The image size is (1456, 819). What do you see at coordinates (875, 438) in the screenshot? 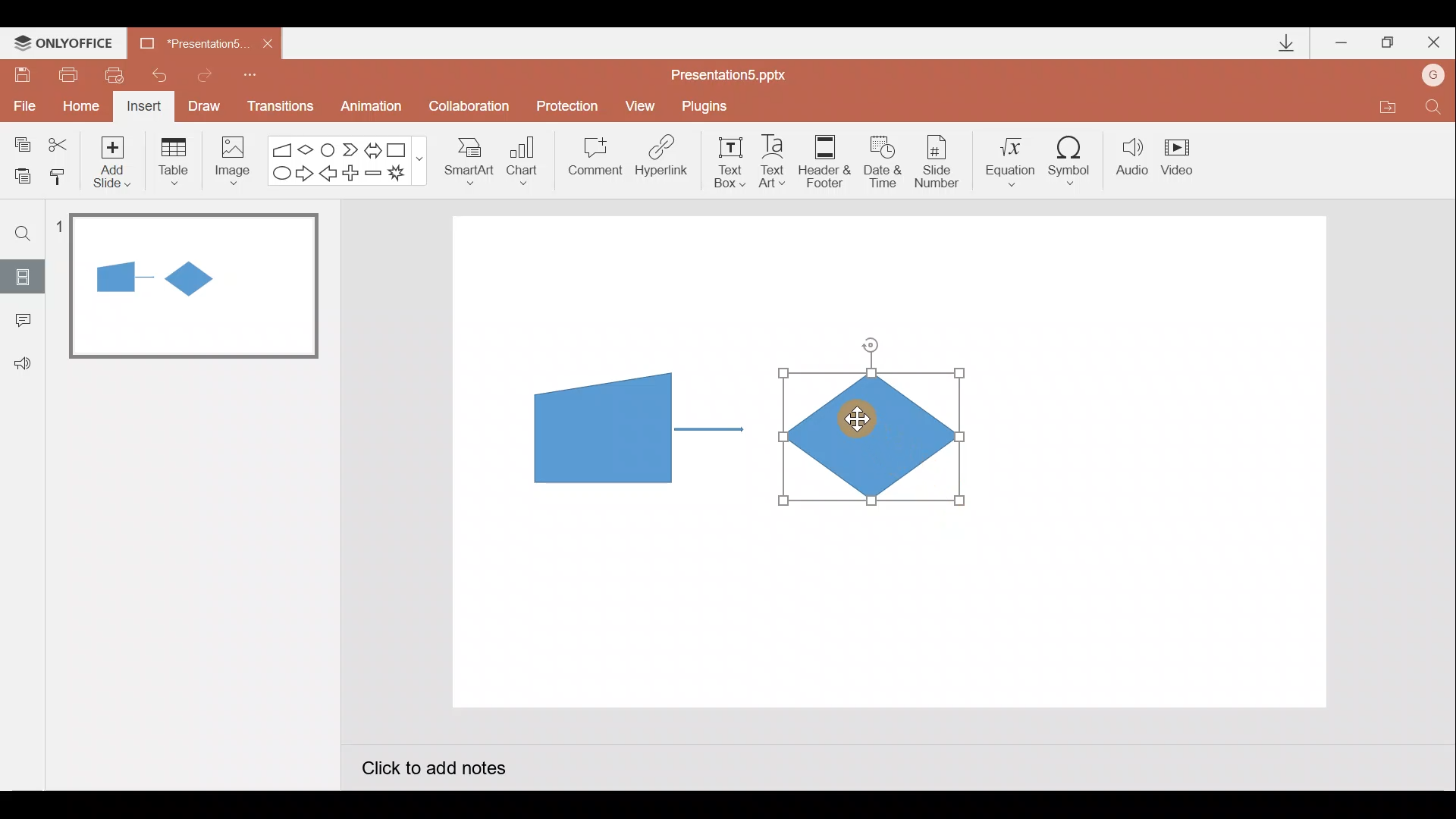
I see `Decision flow chart` at bounding box center [875, 438].